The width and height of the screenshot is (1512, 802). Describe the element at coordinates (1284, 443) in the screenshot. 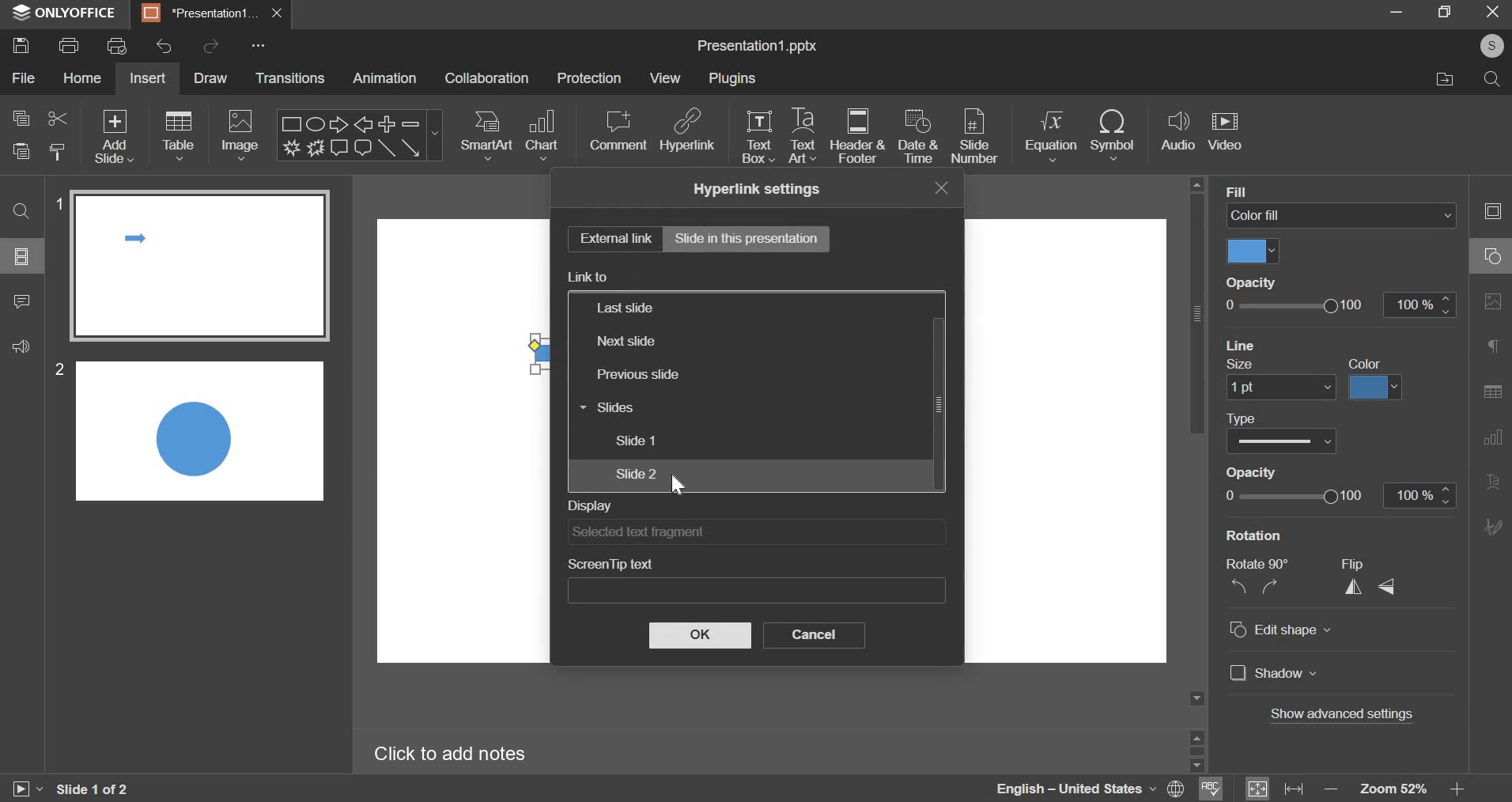

I see `select line type` at that location.